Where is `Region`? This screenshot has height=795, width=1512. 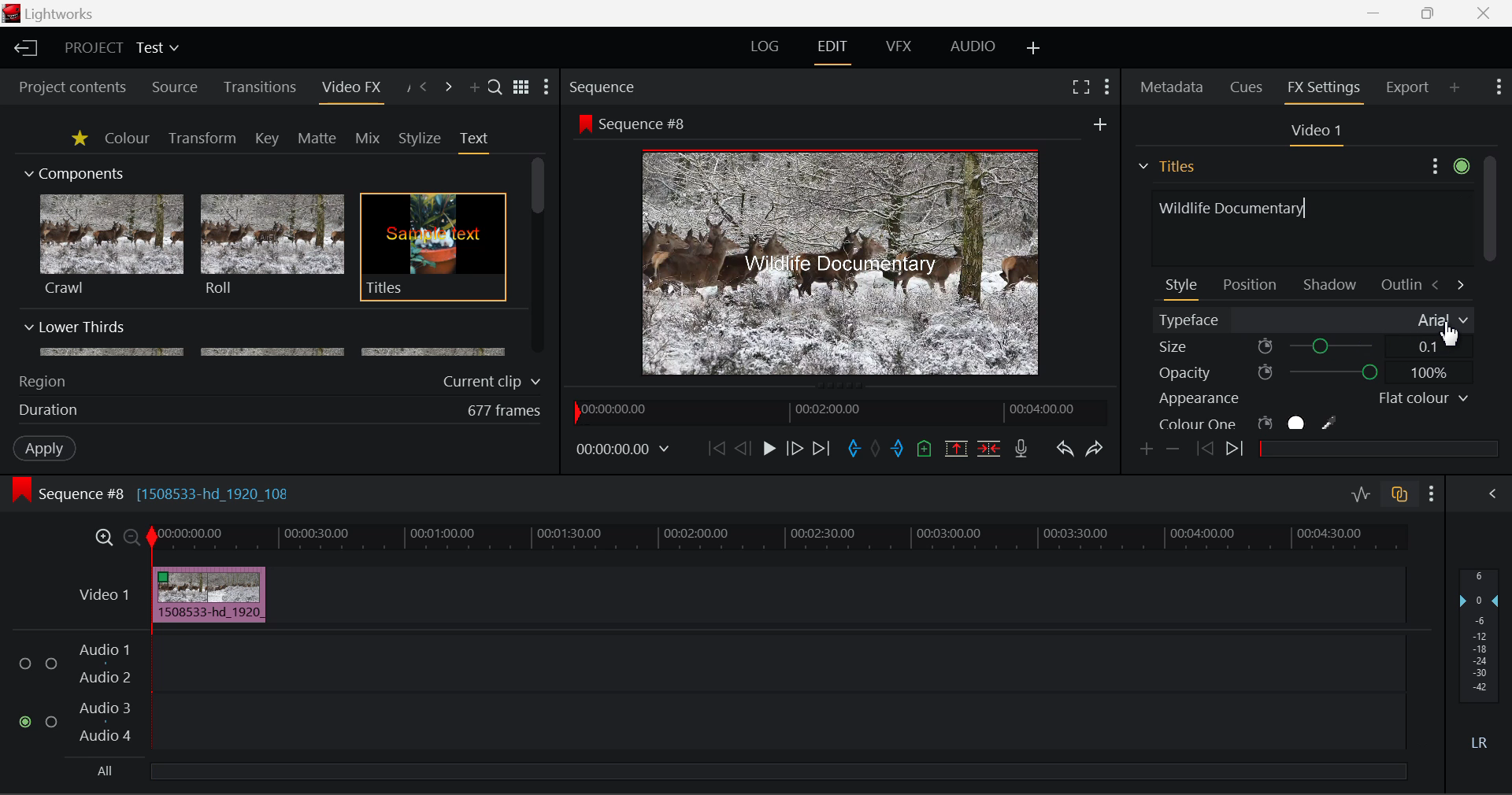
Region is located at coordinates (42, 382).